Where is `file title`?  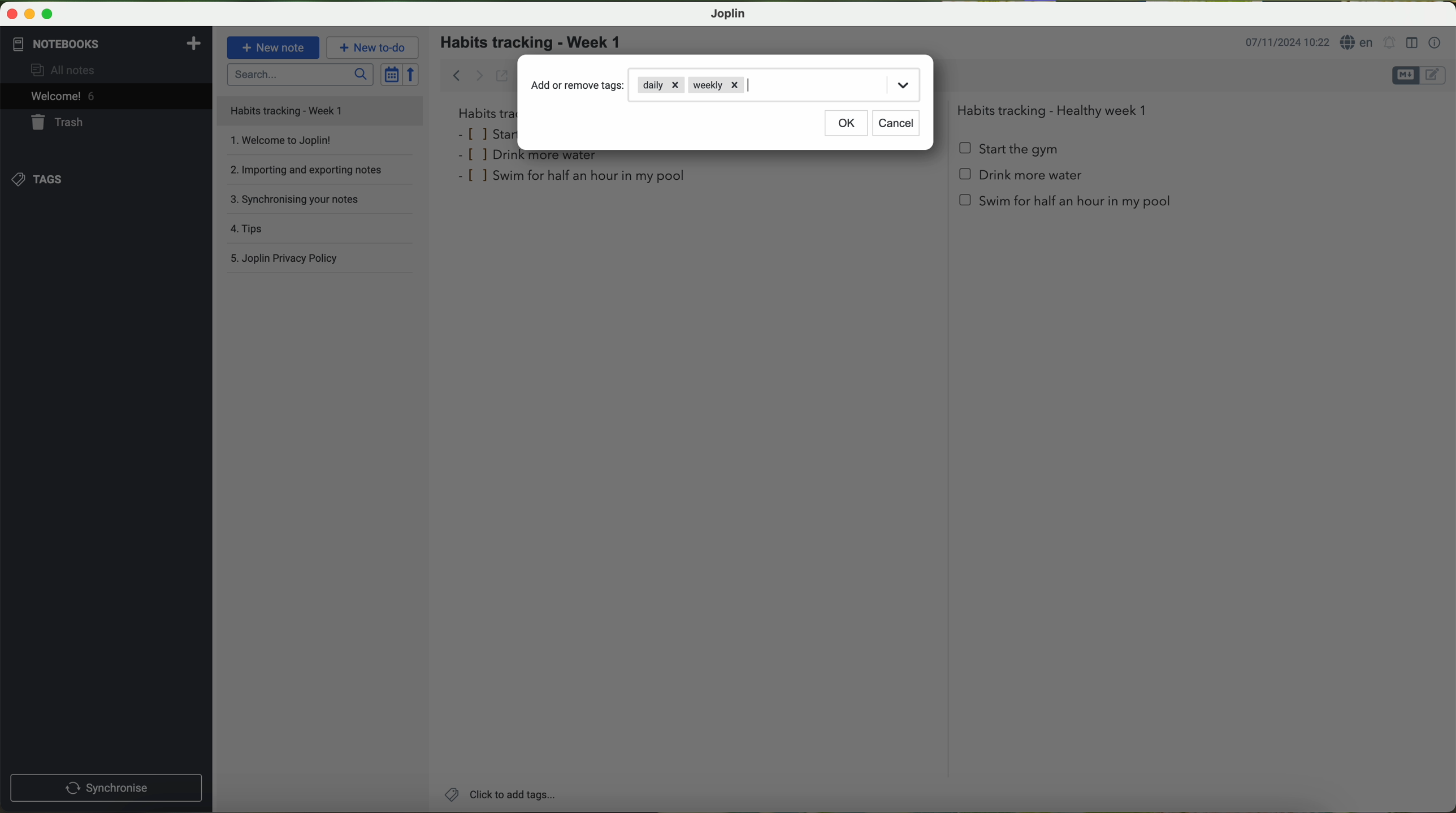
file title is located at coordinates (320, 111).